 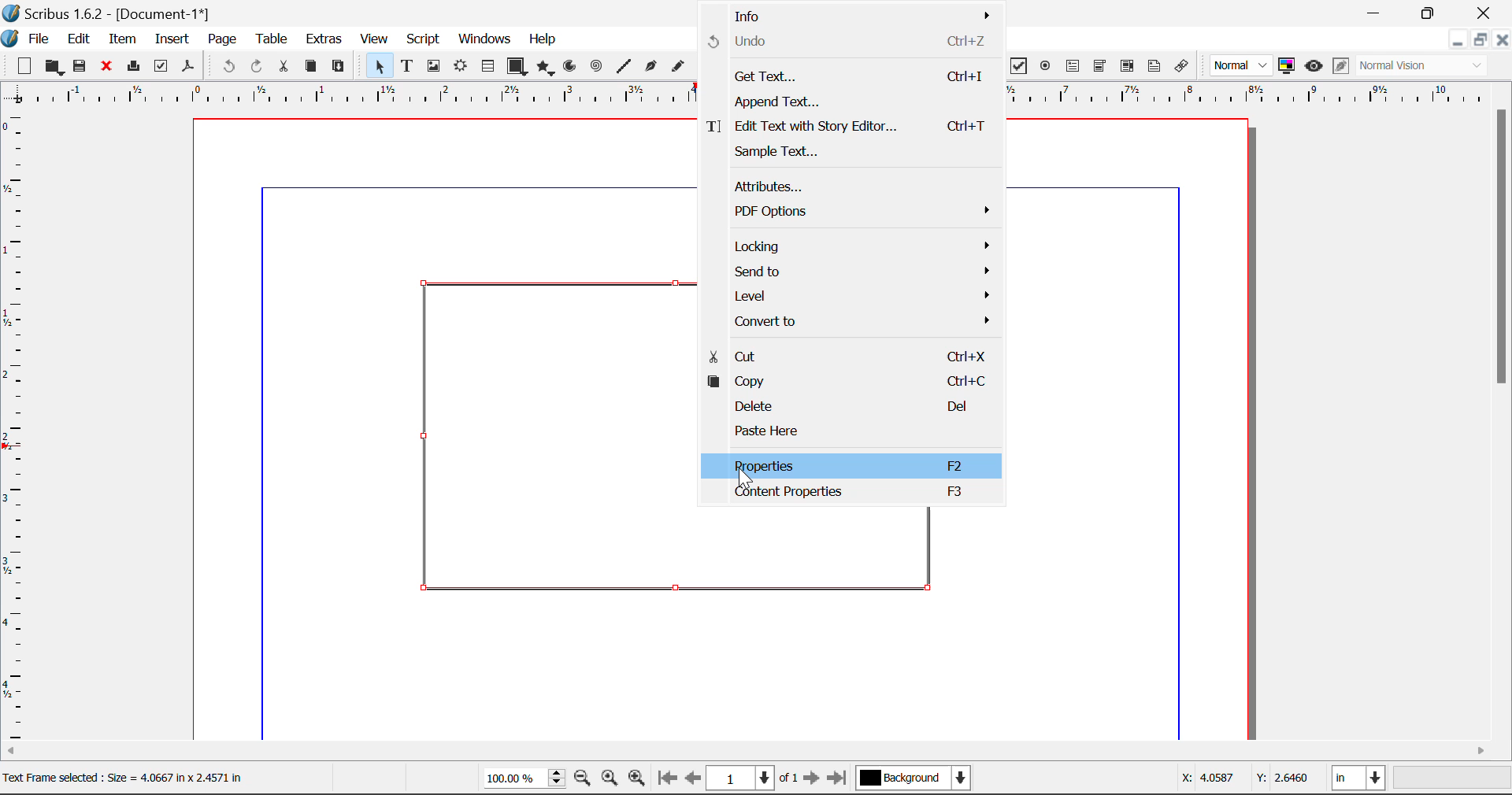 What do you see at coordinates (850, 41) in the screenshot?
I see `Undo` at bounding box center [850, 41].